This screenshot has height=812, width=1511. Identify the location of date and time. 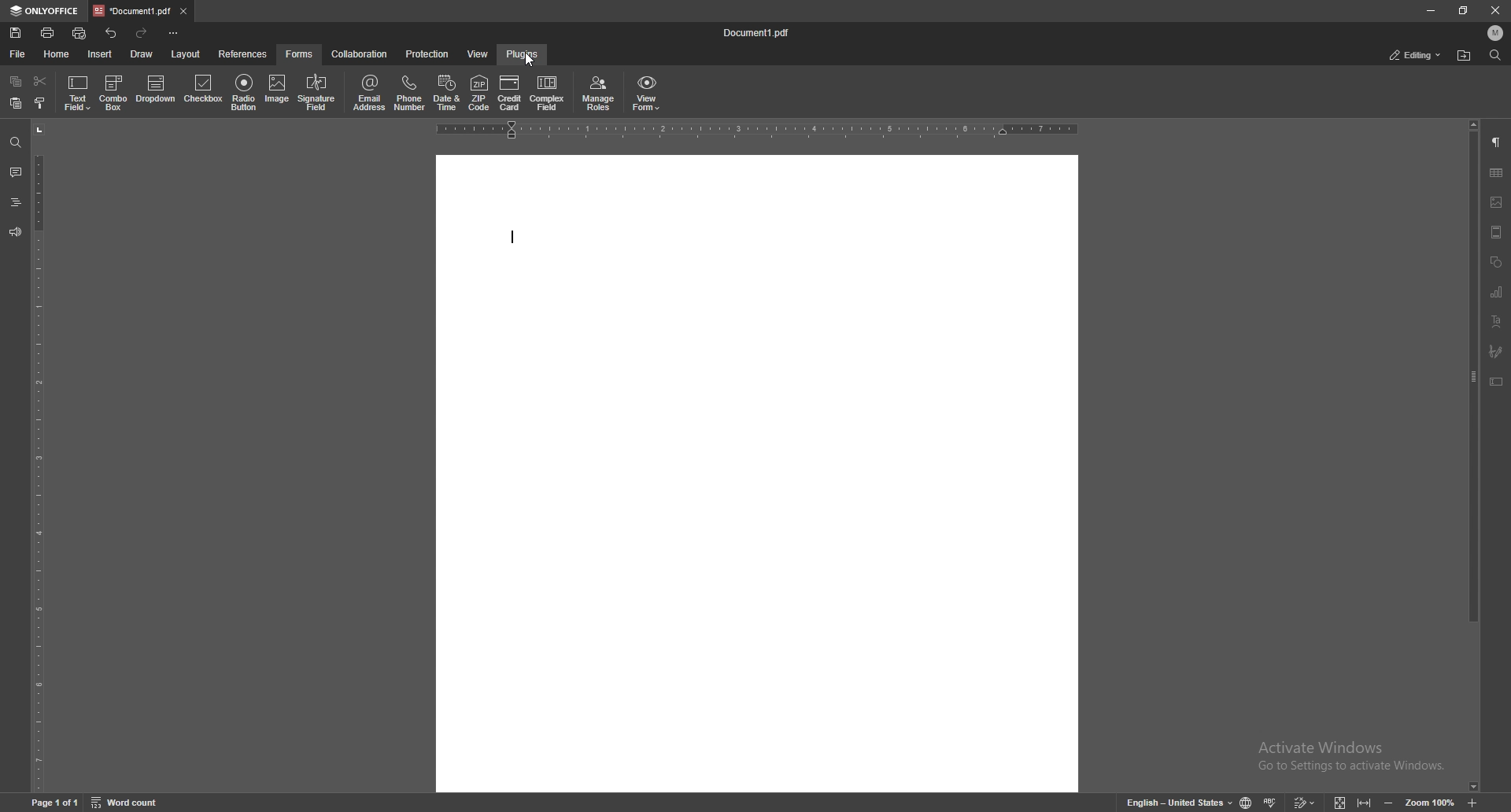
(446, 93).